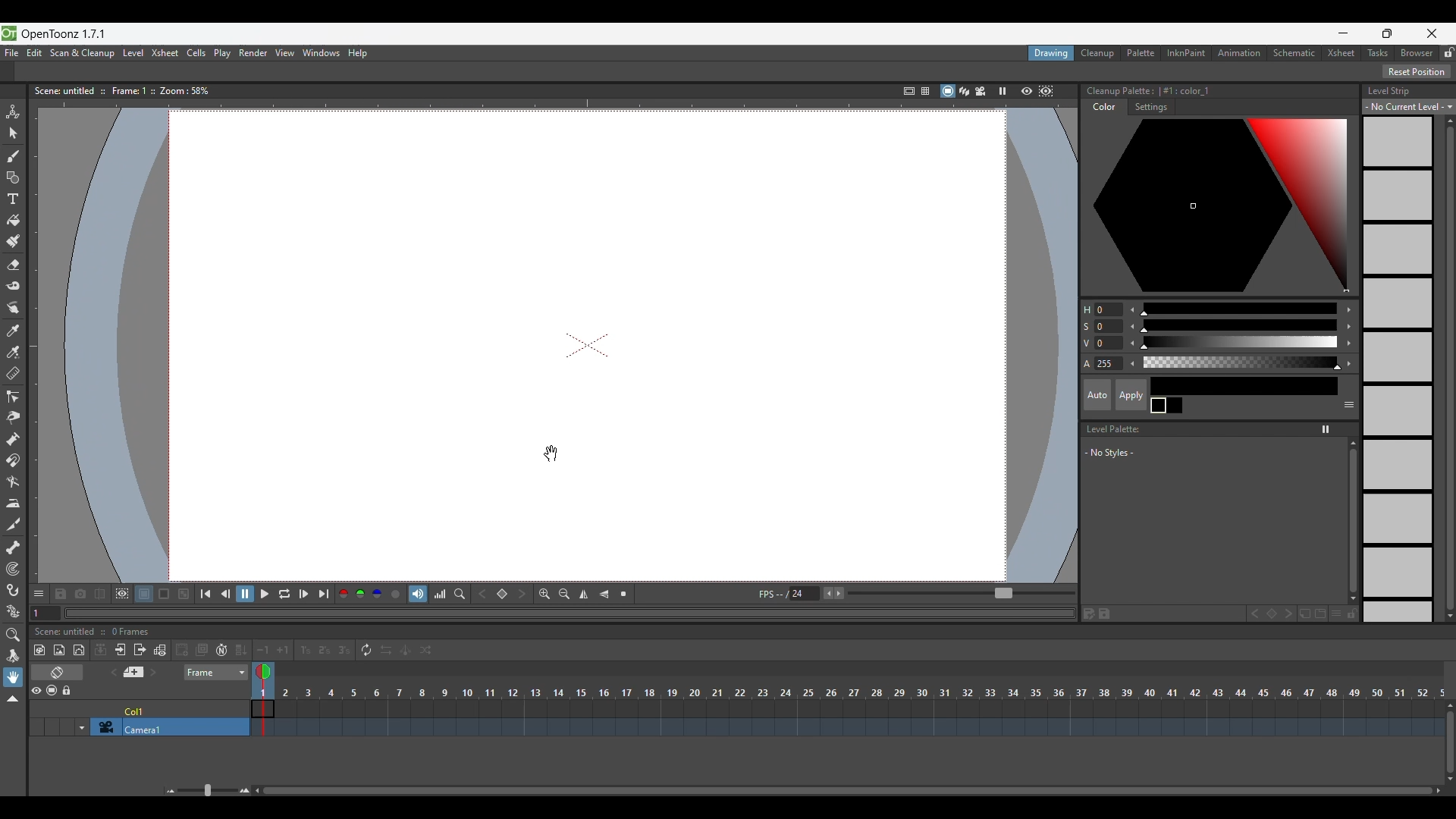  I want to click on Compare to snapshot, so click(99, 594).